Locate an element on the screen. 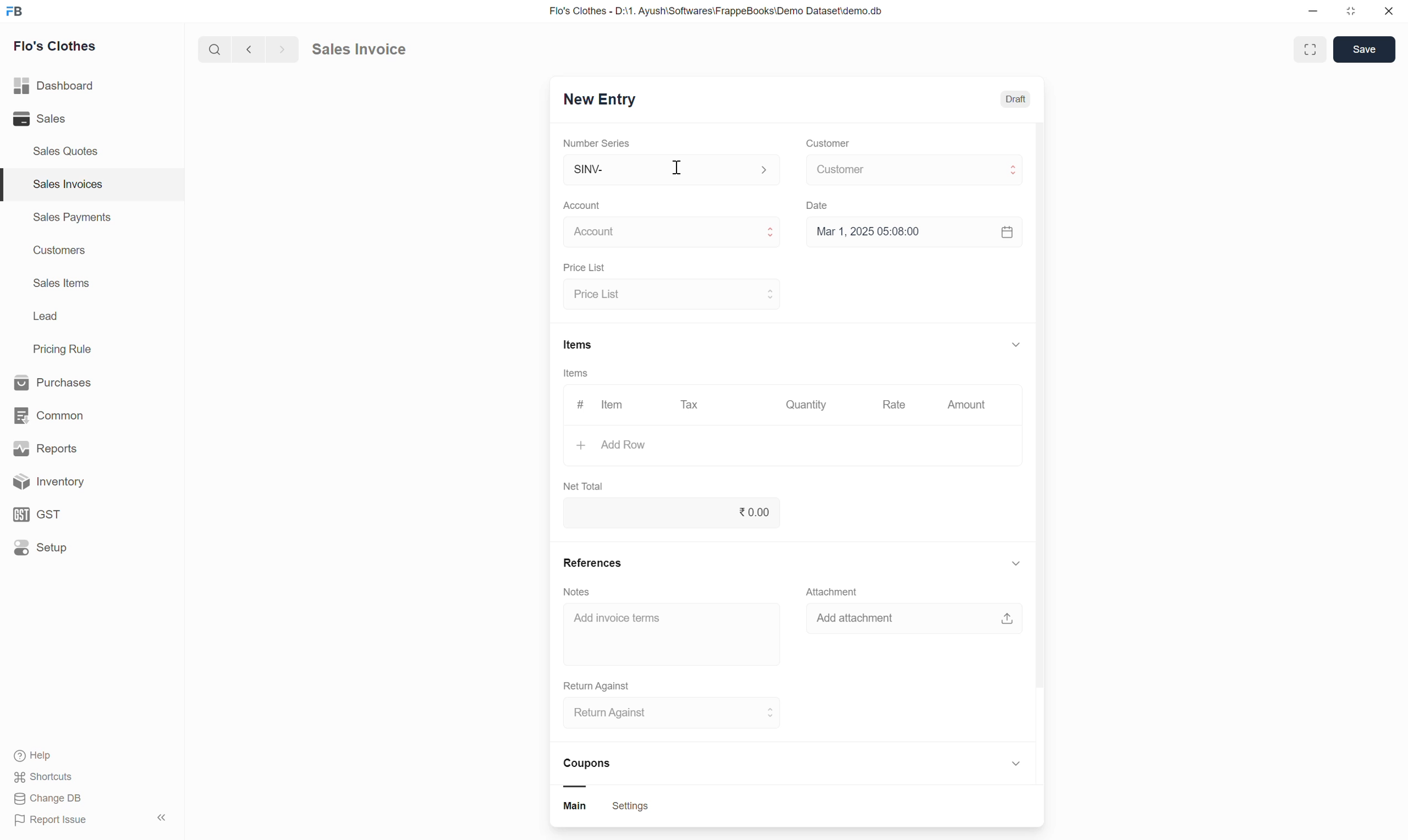 This screenshot has width=1408, height=840. Purchases  is located at coordinates (71, 381).